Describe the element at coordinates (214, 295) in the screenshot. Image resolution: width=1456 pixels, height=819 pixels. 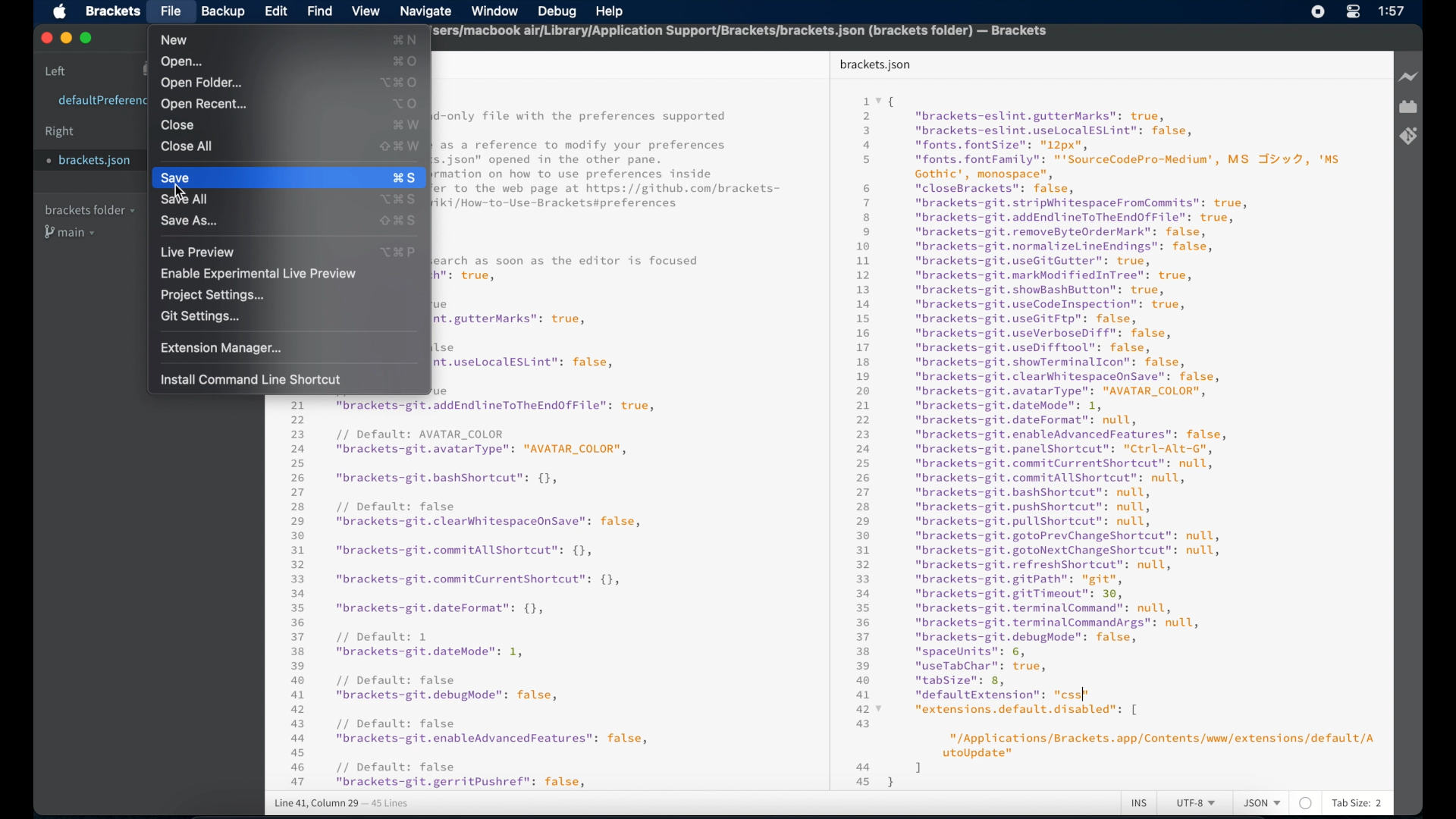
I see `project settings...` at that location.